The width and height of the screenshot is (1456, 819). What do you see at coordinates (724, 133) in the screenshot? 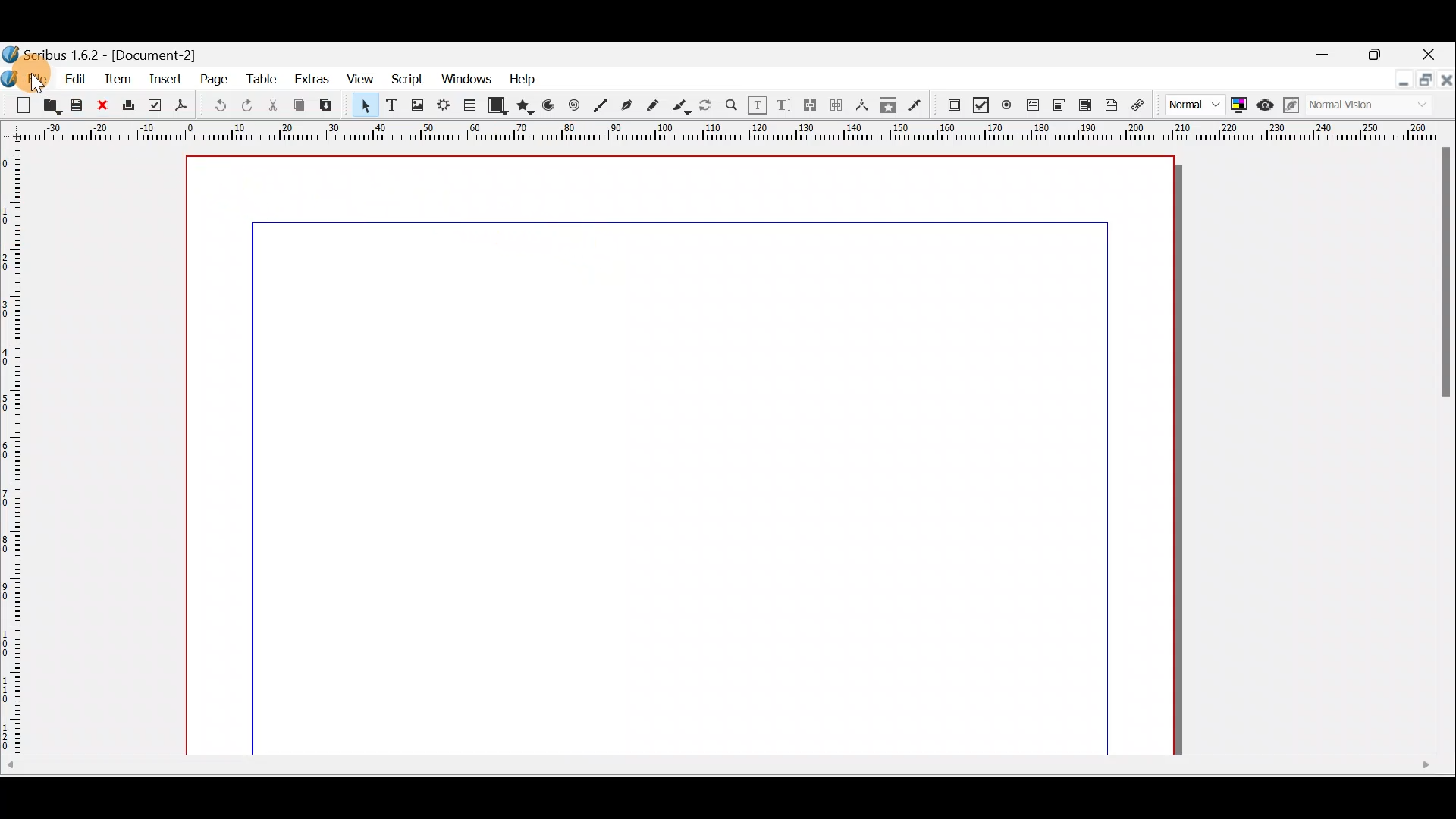
I see `Ruler` at bounding box center [724, 133].